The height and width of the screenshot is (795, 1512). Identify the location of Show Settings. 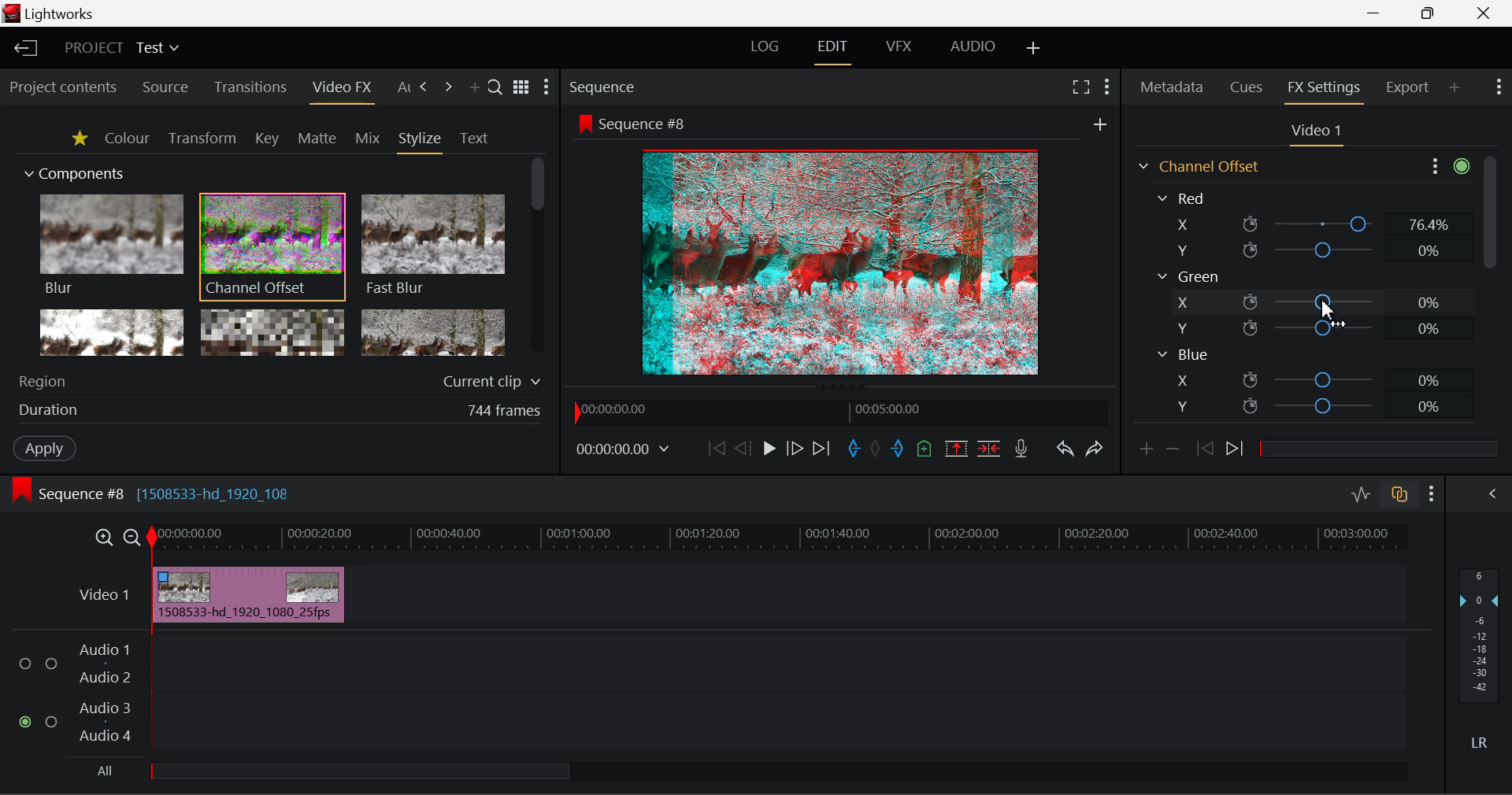
(1431, 494).